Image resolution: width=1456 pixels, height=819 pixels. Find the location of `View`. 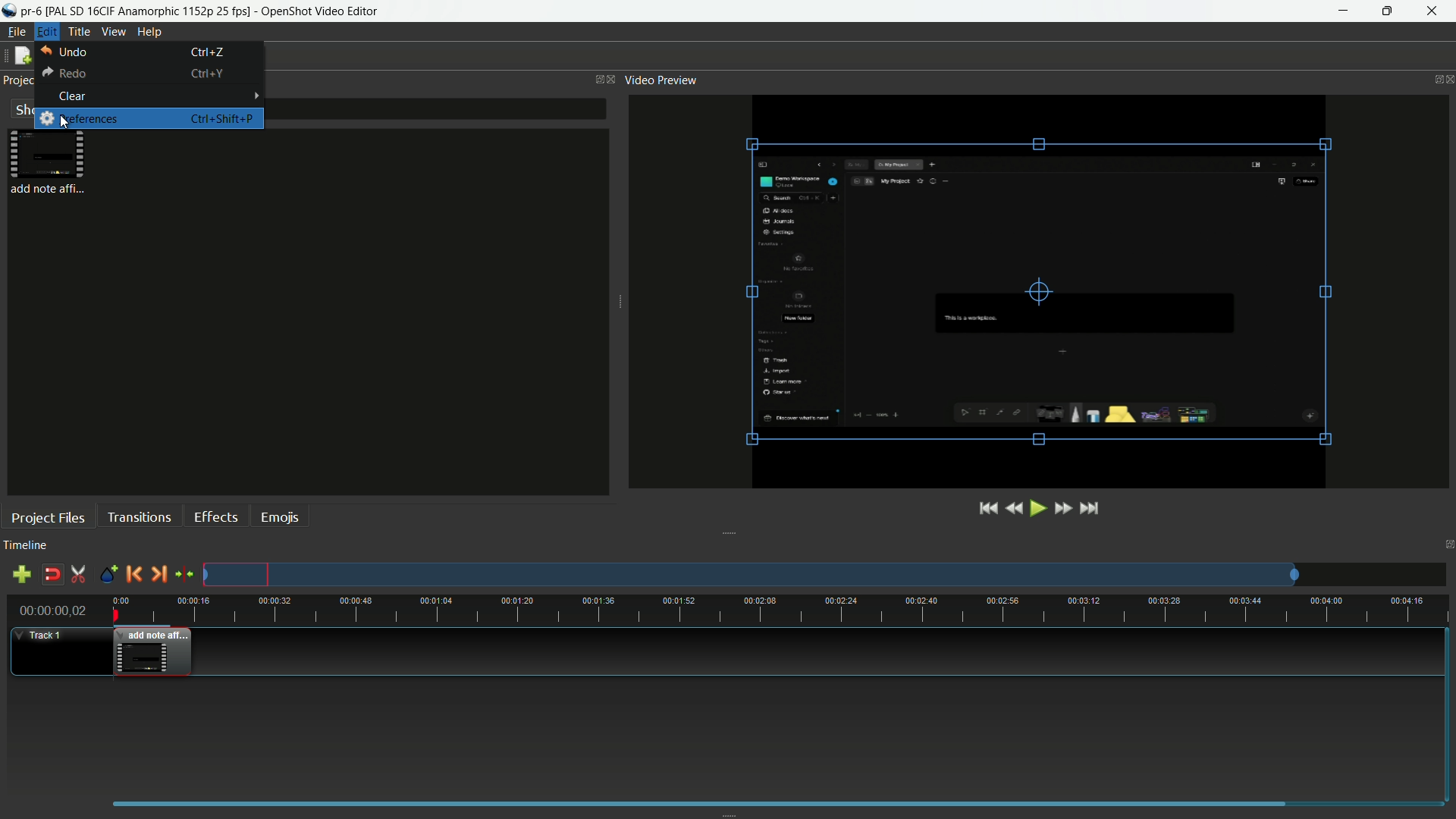

View is located at coordinates (115, 33).